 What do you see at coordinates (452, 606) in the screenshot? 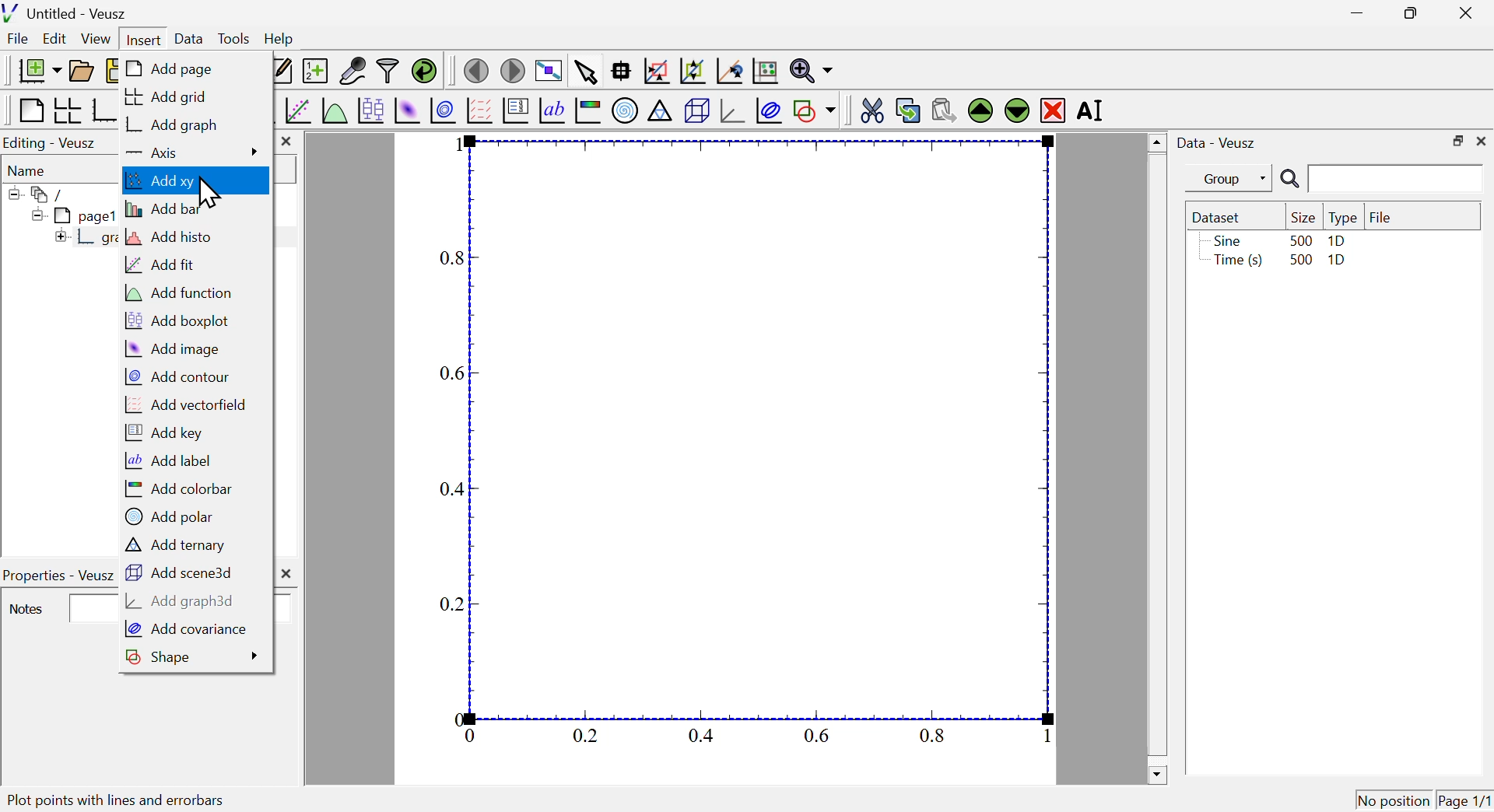
I see `0.2` at bounding box center [452, 606].